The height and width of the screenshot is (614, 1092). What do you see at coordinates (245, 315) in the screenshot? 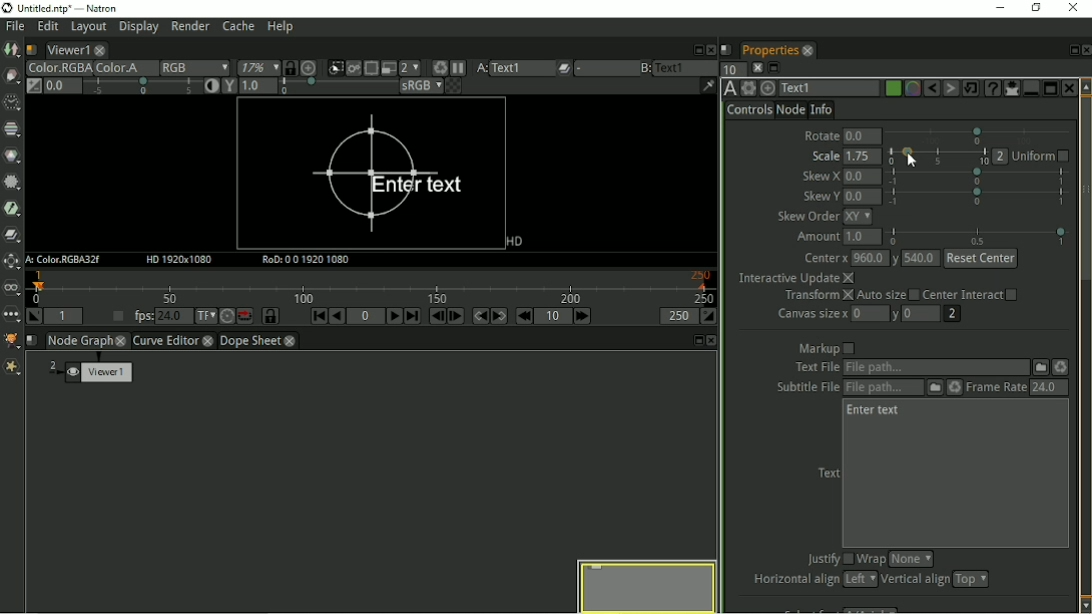
I see `Behaviour` at bounding box center [245, 315].